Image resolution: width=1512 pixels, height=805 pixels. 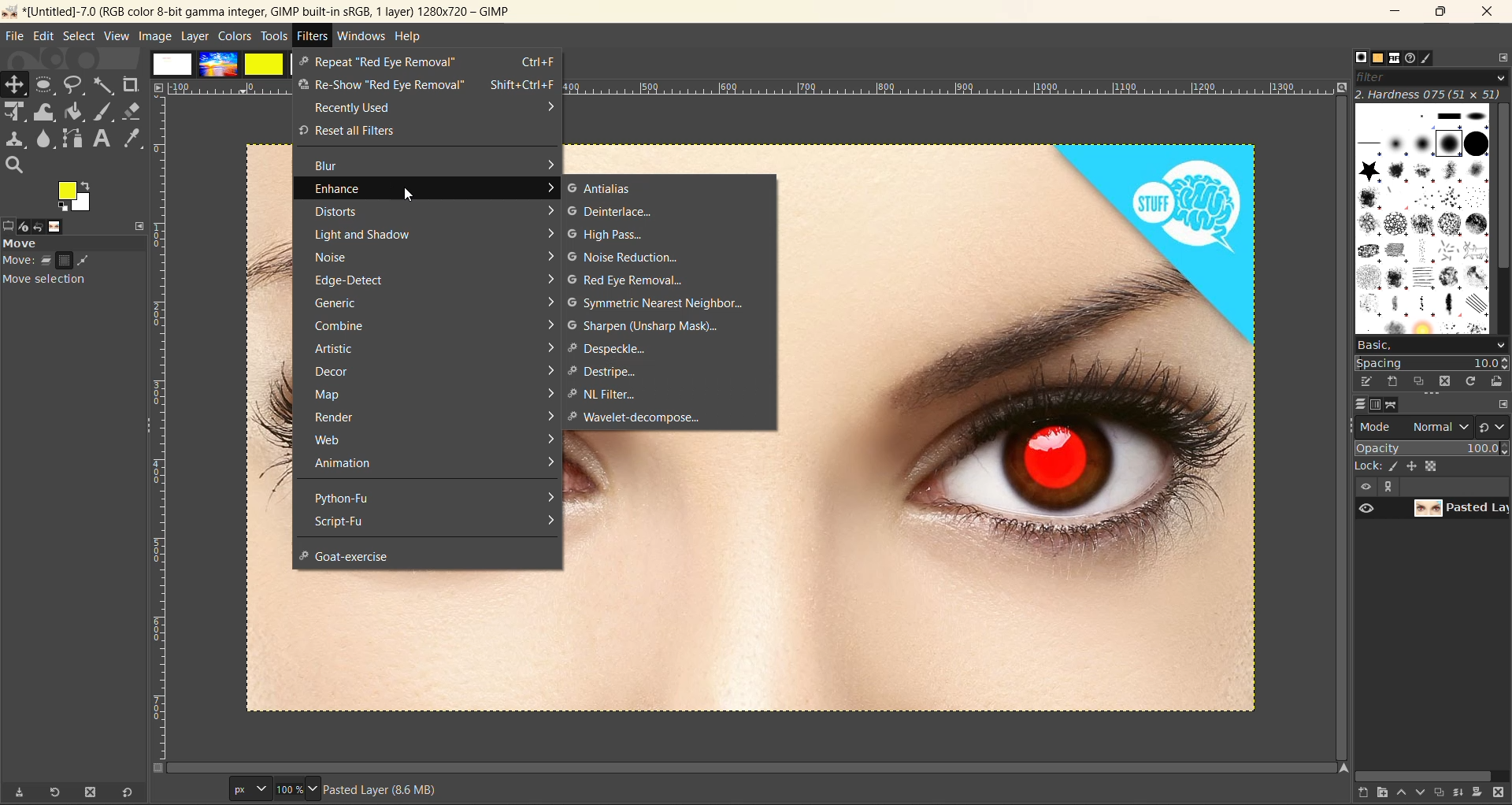 I want to click on despeckle, so click(x=613, y=349).